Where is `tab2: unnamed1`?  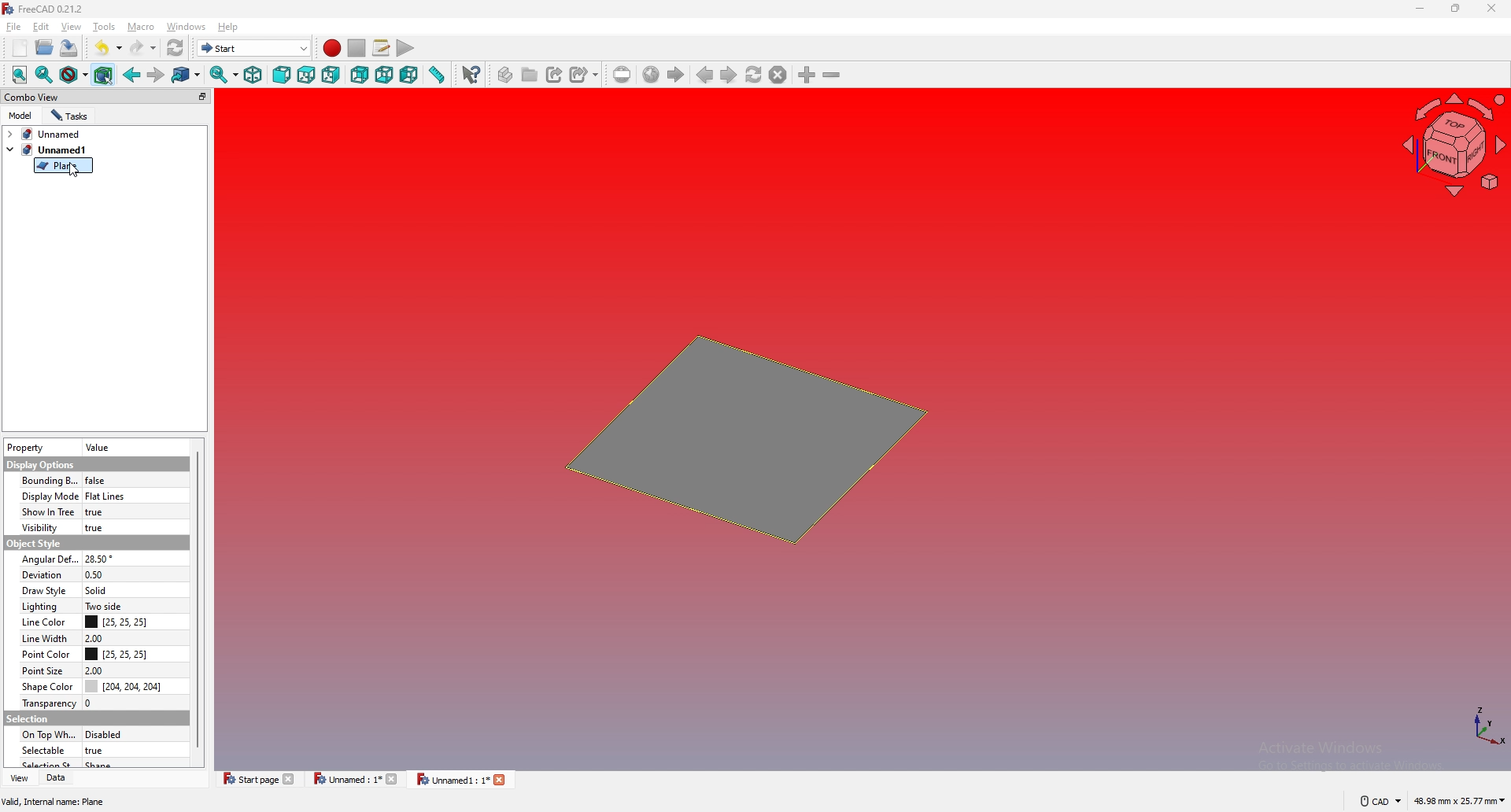 tab2: unnamed1 is located at coordinates (46, 149).